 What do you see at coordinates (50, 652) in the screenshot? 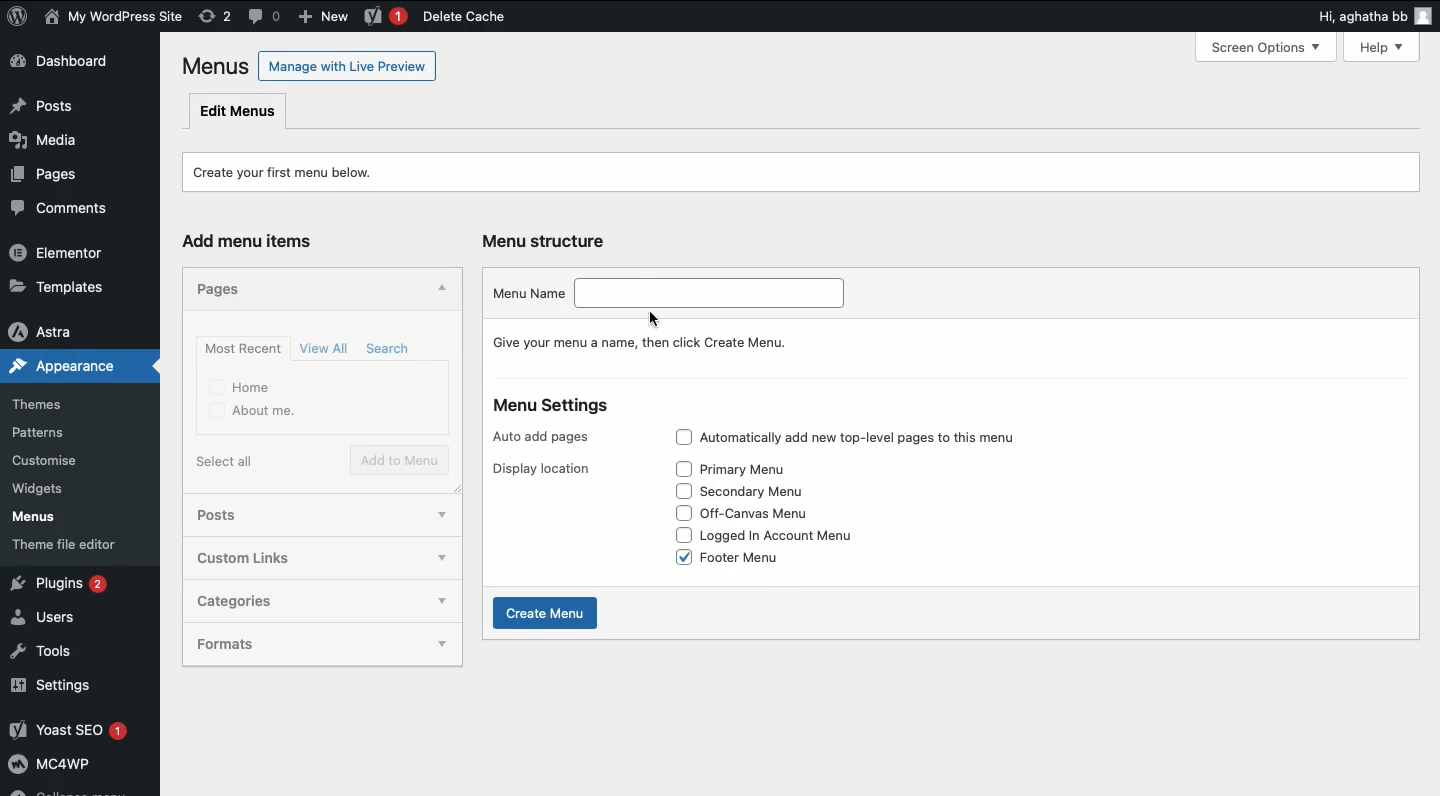
I see `Tools` at bounding box center [50, 652].